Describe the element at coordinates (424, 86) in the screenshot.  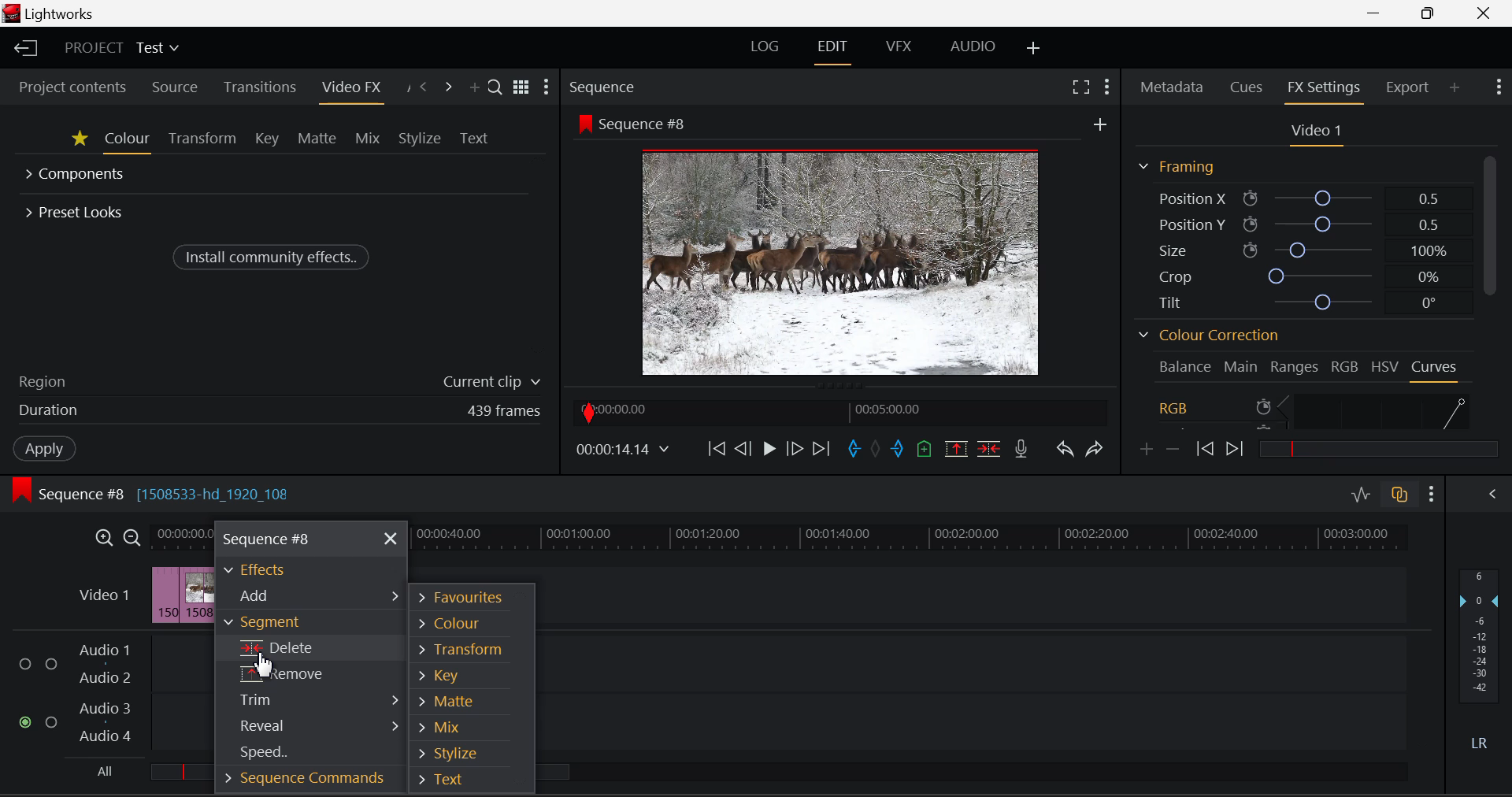
I see `Previous Panel` at that location.